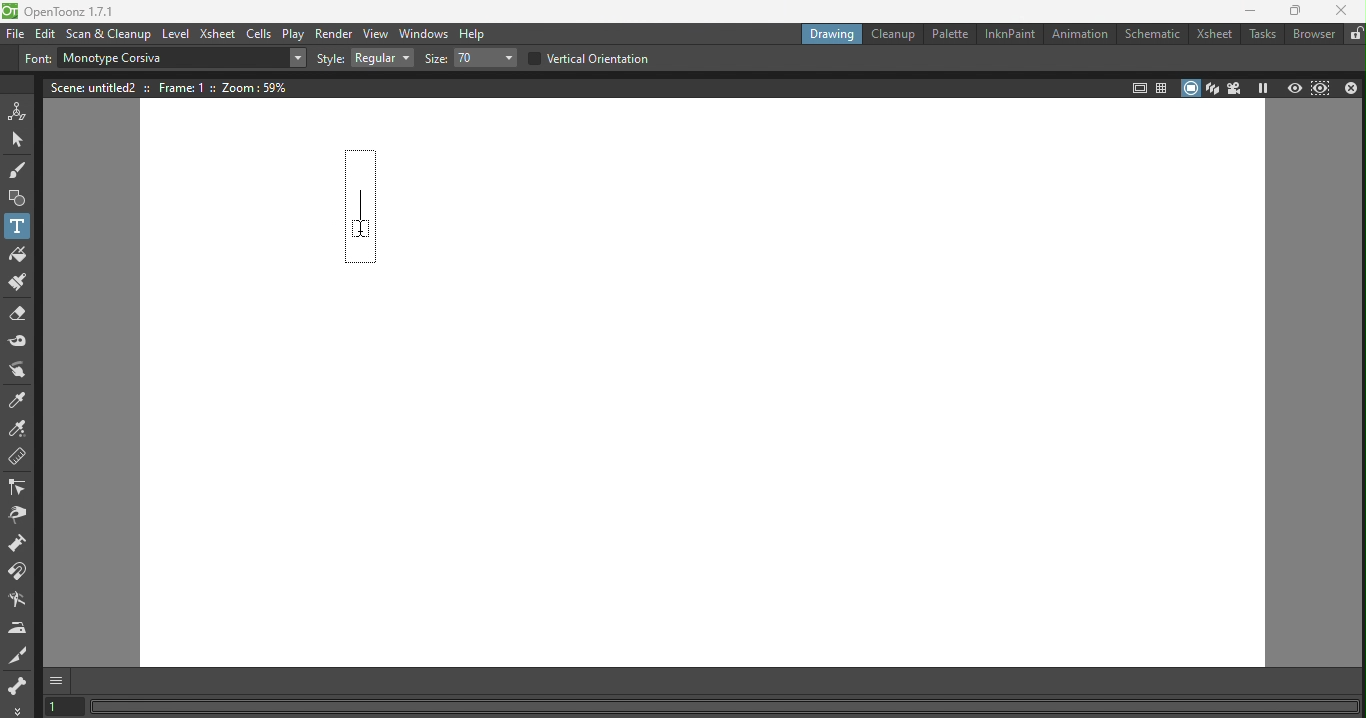 The image size is (1366, 718). What do you see at coordinates (177, 35) in the screenshot?
I see `Level` at bounding box center [177, 35].